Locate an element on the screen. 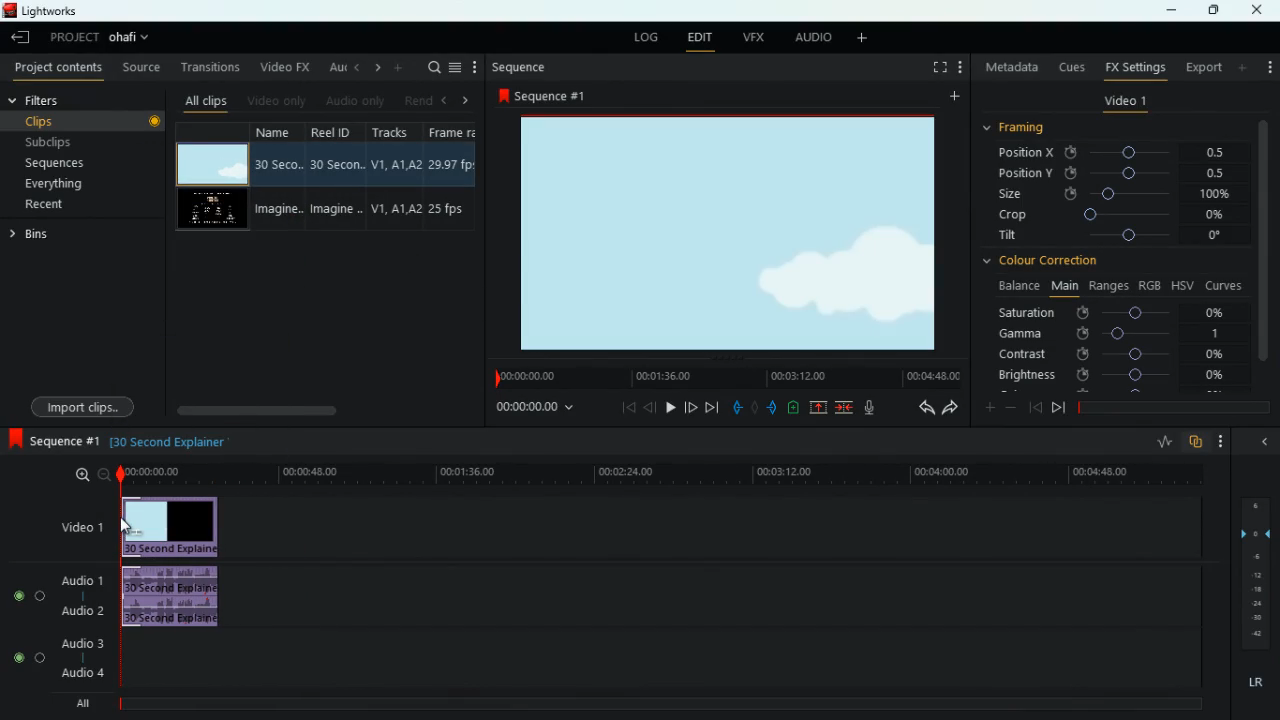 Image resolution: width=1280 pixels, height=720 pixels. frame is located at coordinates (457, 131).